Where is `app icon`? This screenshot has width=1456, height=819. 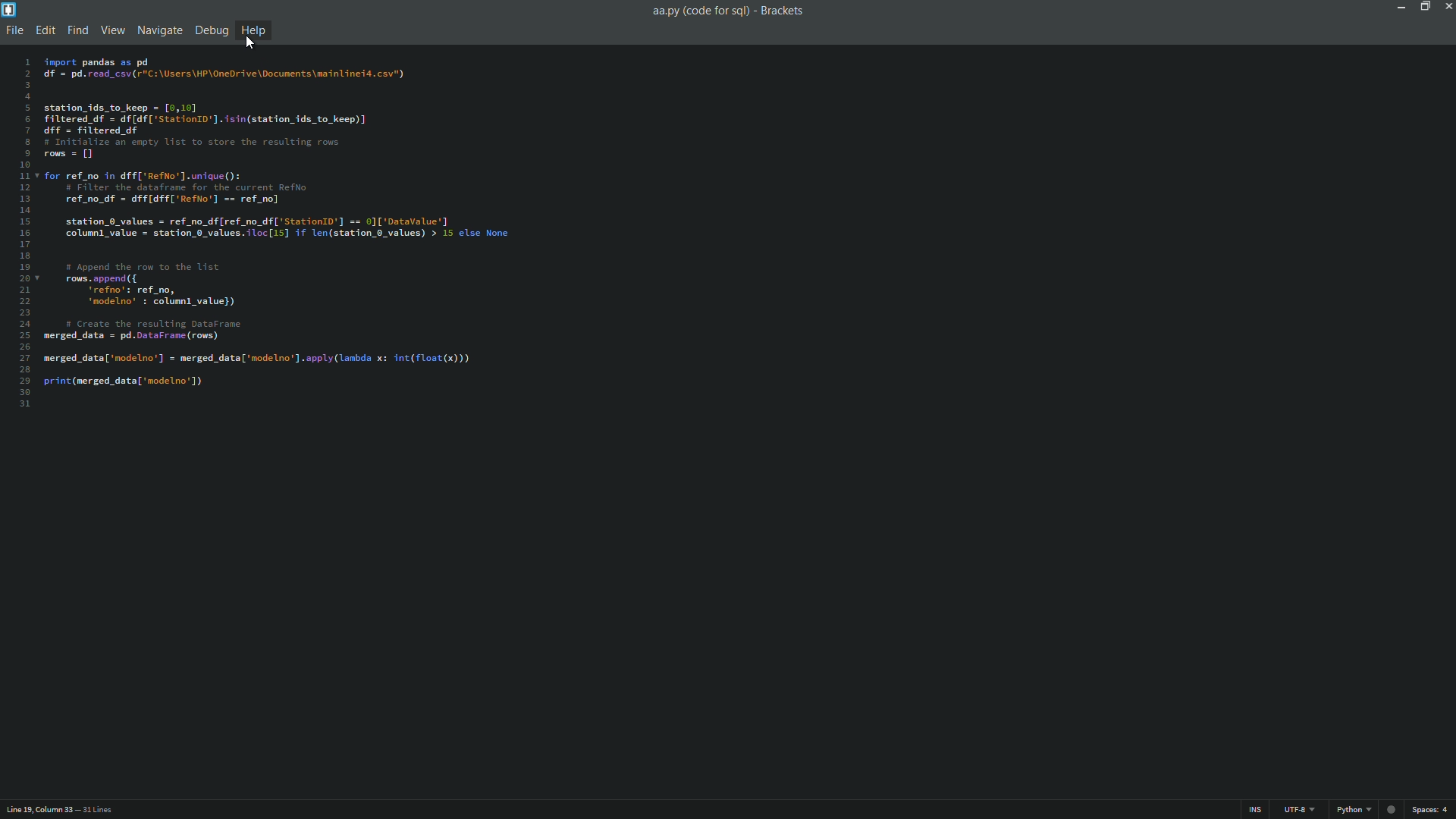 app icon is located at coordinates (9, 9).